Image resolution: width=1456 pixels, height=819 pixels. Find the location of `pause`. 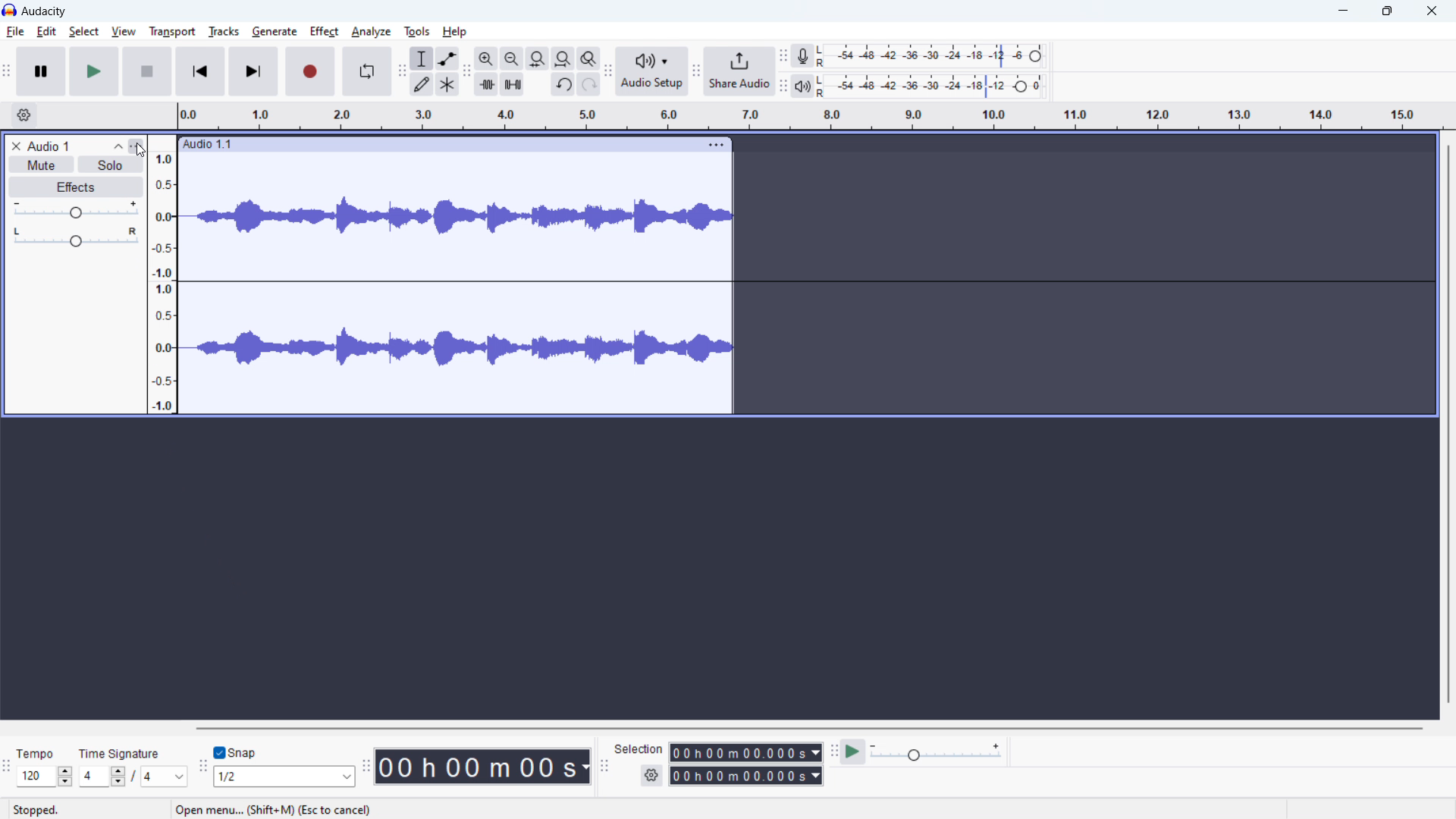

pause is located at coordinates (42, 71).